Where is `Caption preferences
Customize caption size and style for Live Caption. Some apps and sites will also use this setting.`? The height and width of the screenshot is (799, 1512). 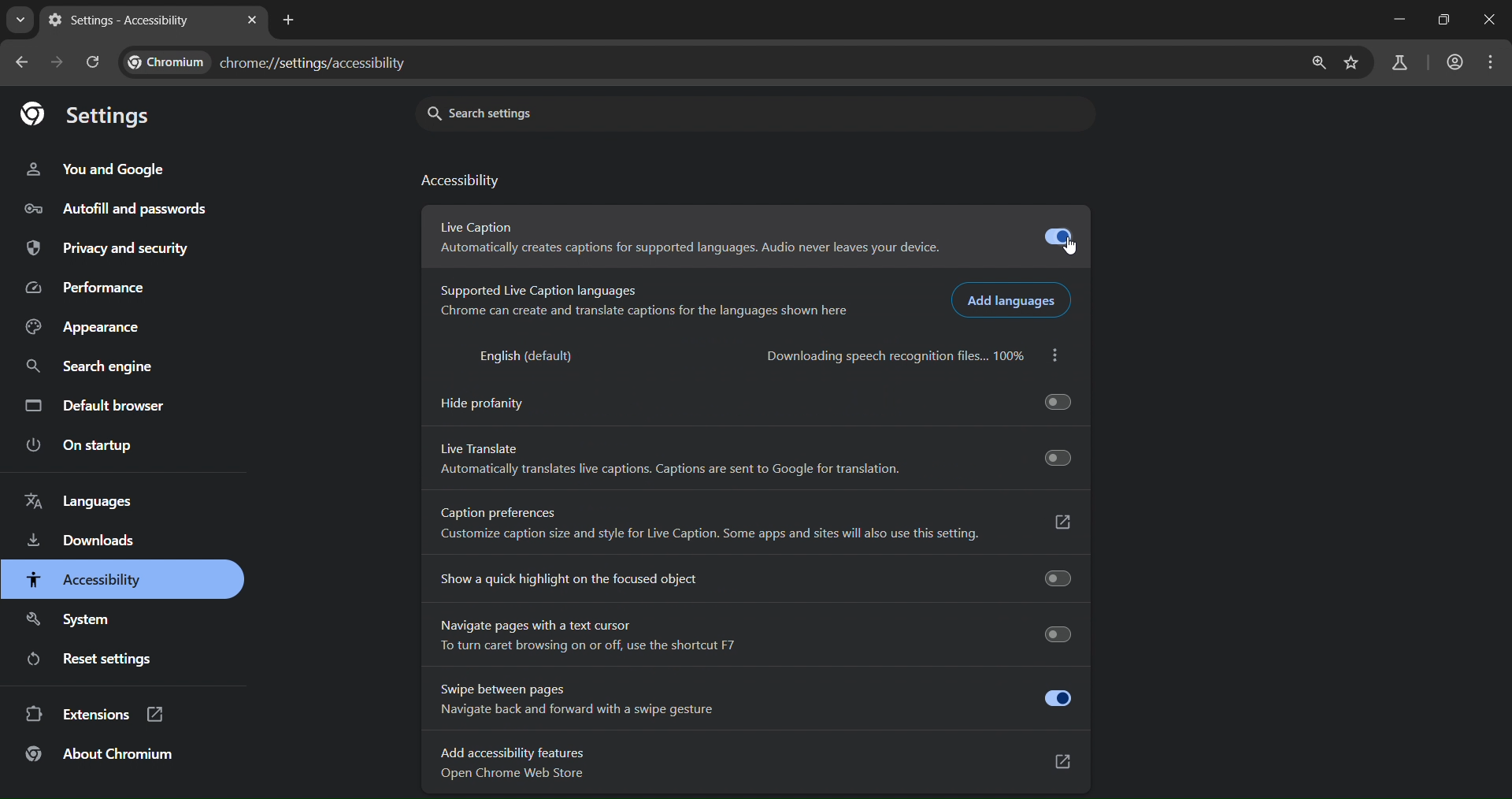 Caption preferences
Customize caption size and style for Live Caption. Some apps and sites will also use this setting. is located at coordinates (754, 523).